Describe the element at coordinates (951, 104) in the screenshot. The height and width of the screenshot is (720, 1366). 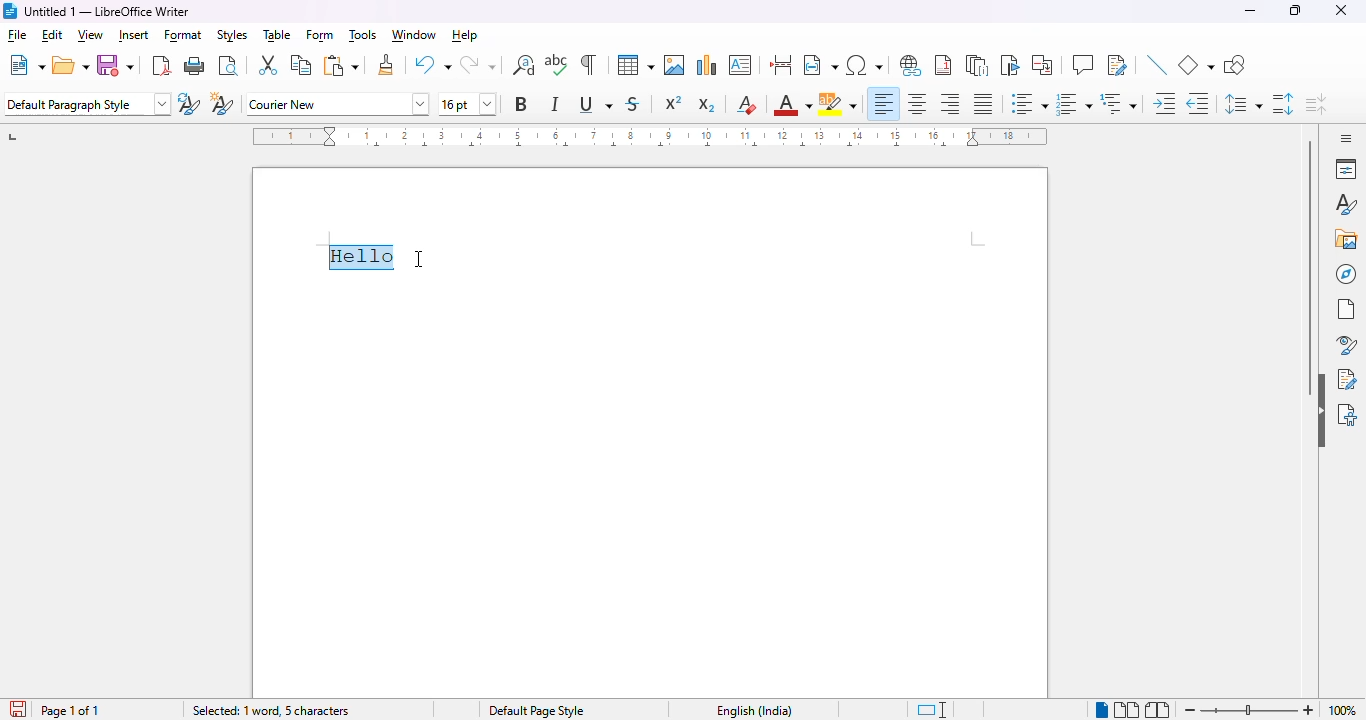
I see `align right` at that location.